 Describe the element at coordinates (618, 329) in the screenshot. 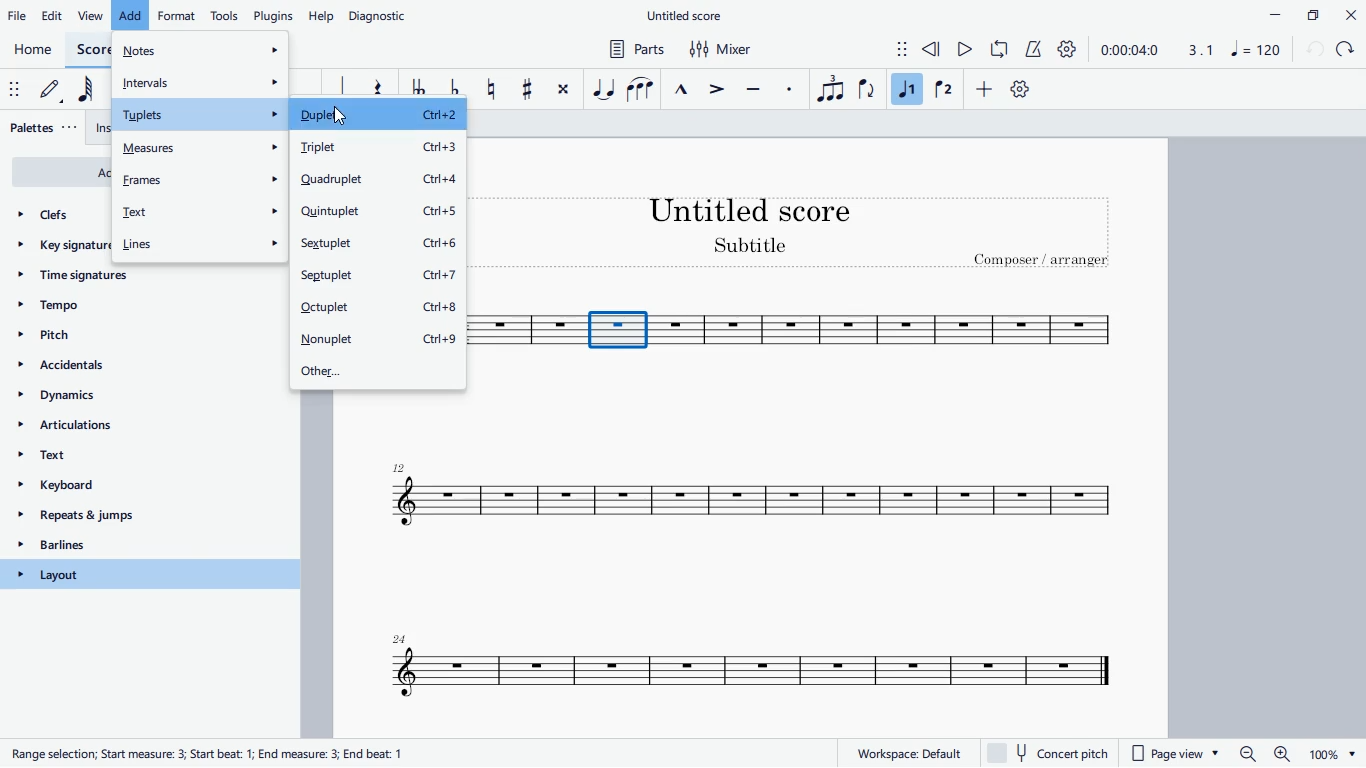

I see `selected note` at that location.